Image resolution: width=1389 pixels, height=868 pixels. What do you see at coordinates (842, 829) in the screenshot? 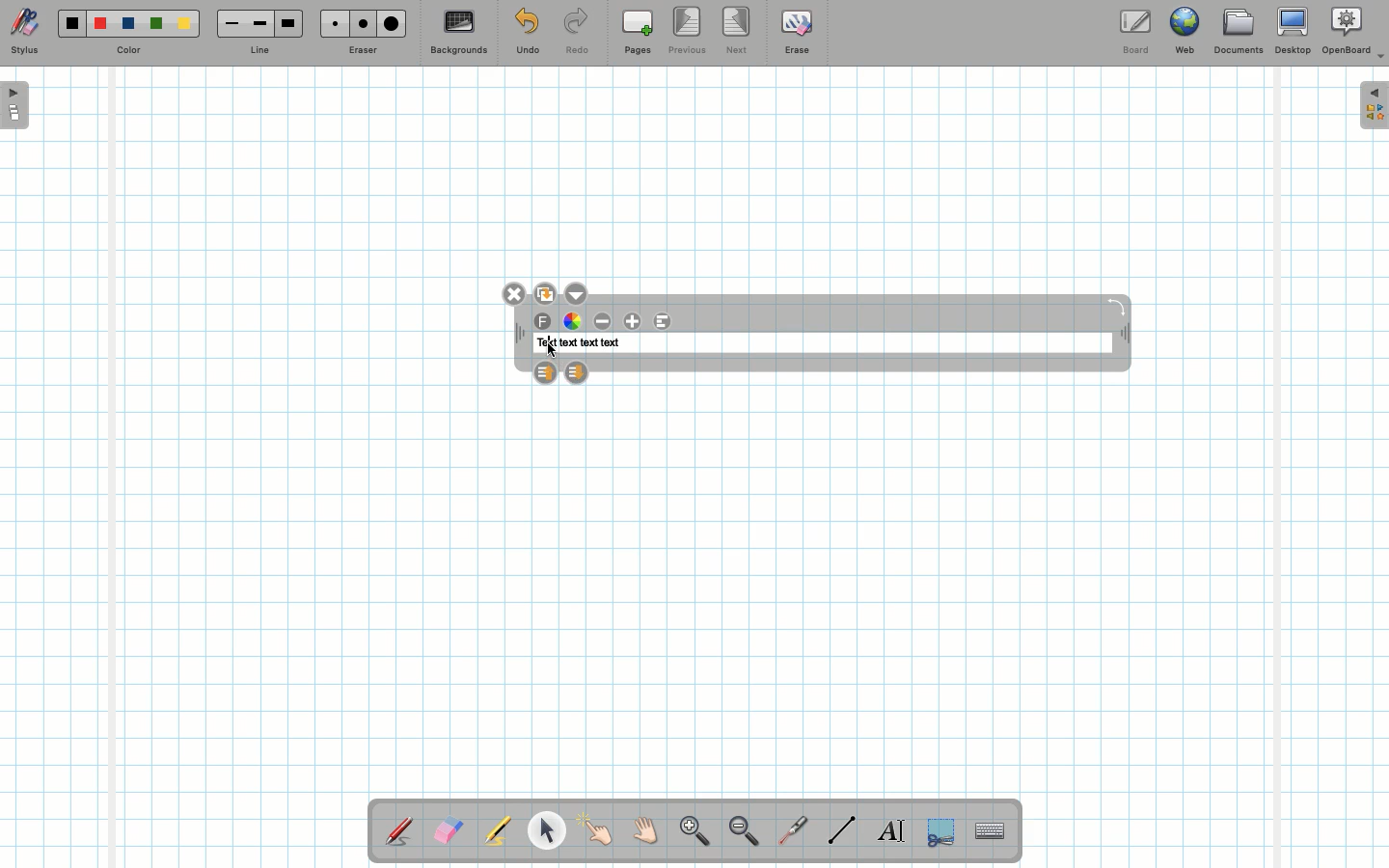
I see `Line` at bounding box center [842, 829].